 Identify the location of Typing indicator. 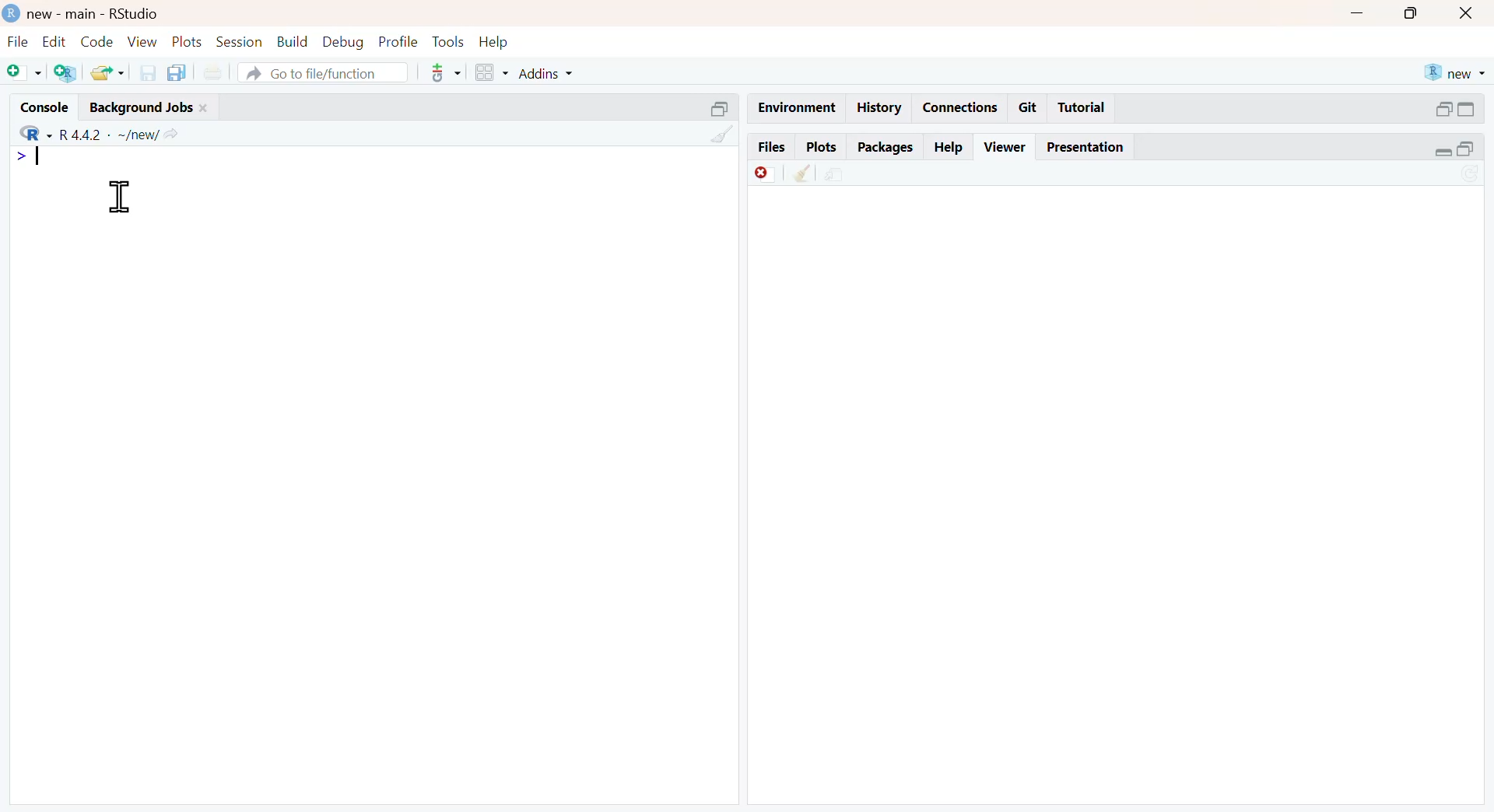
(37, 156).